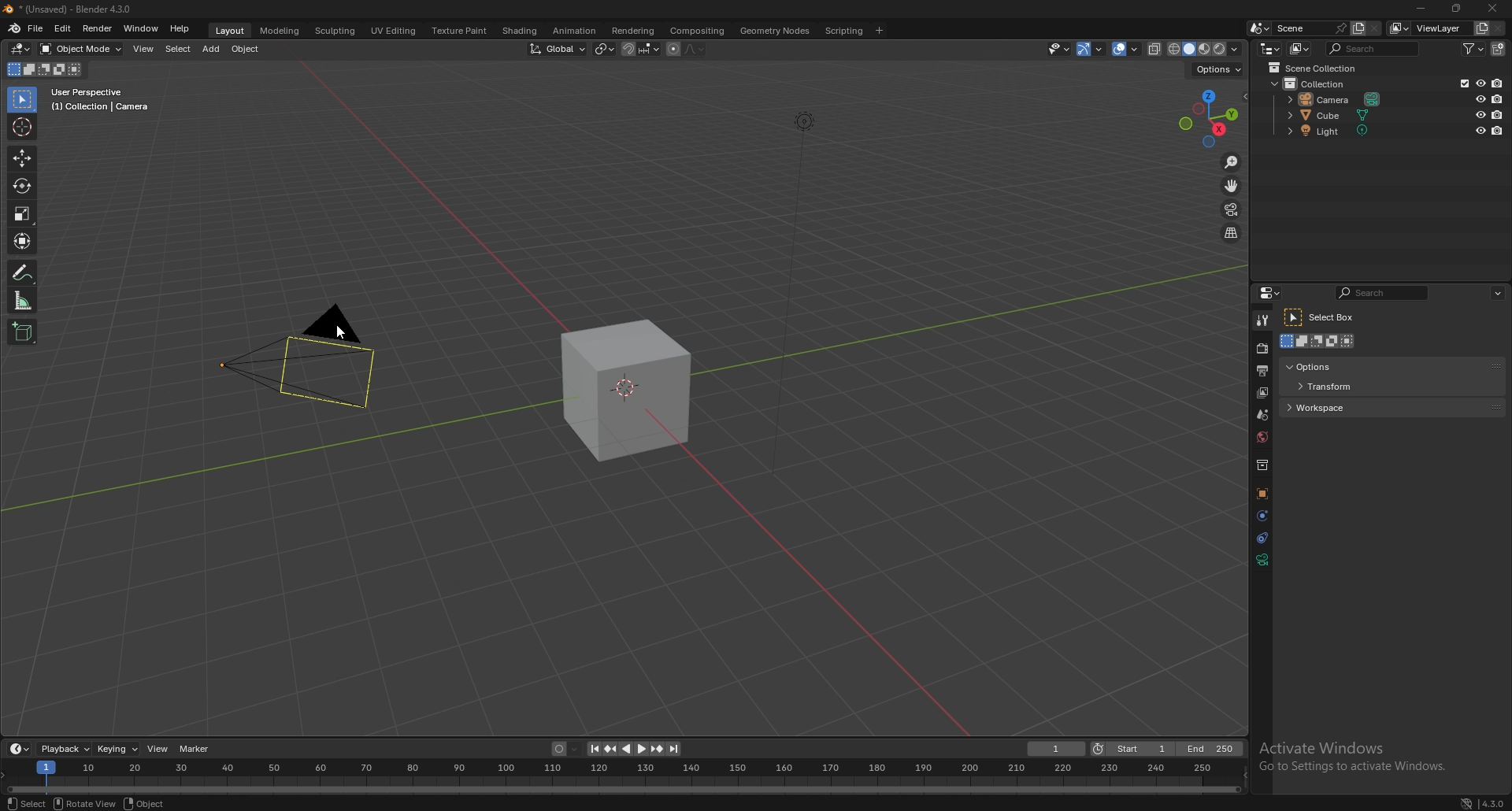 The width and height of the screenshot is (1512, 811). What do you see at coordinates (1480, 83) in the screenshot?
I see `hide in viewport` at bounding box center [1480, 83].